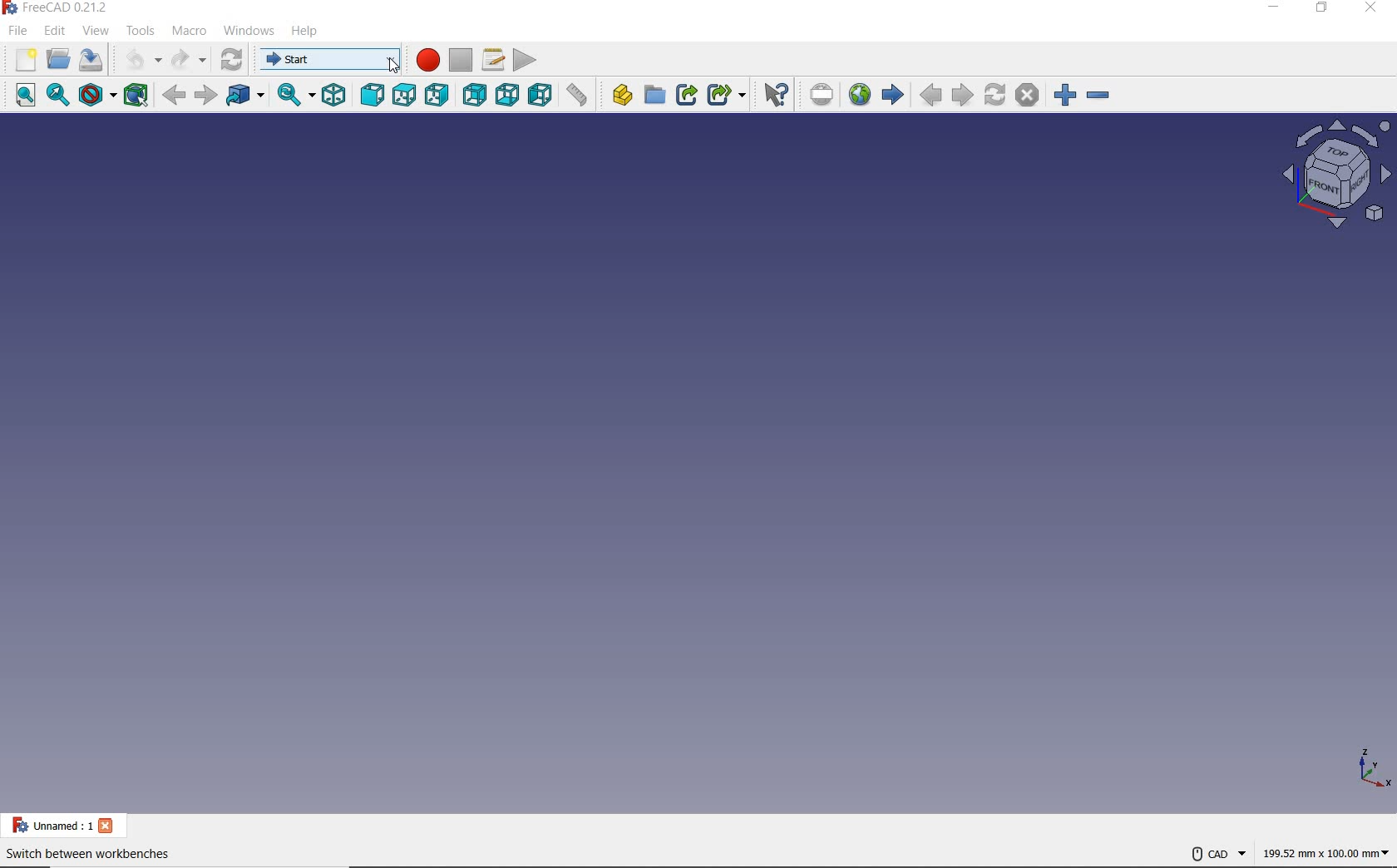  Describe the element at coordinates (22, 61) in the screenshot. I see `NEW` at that location.